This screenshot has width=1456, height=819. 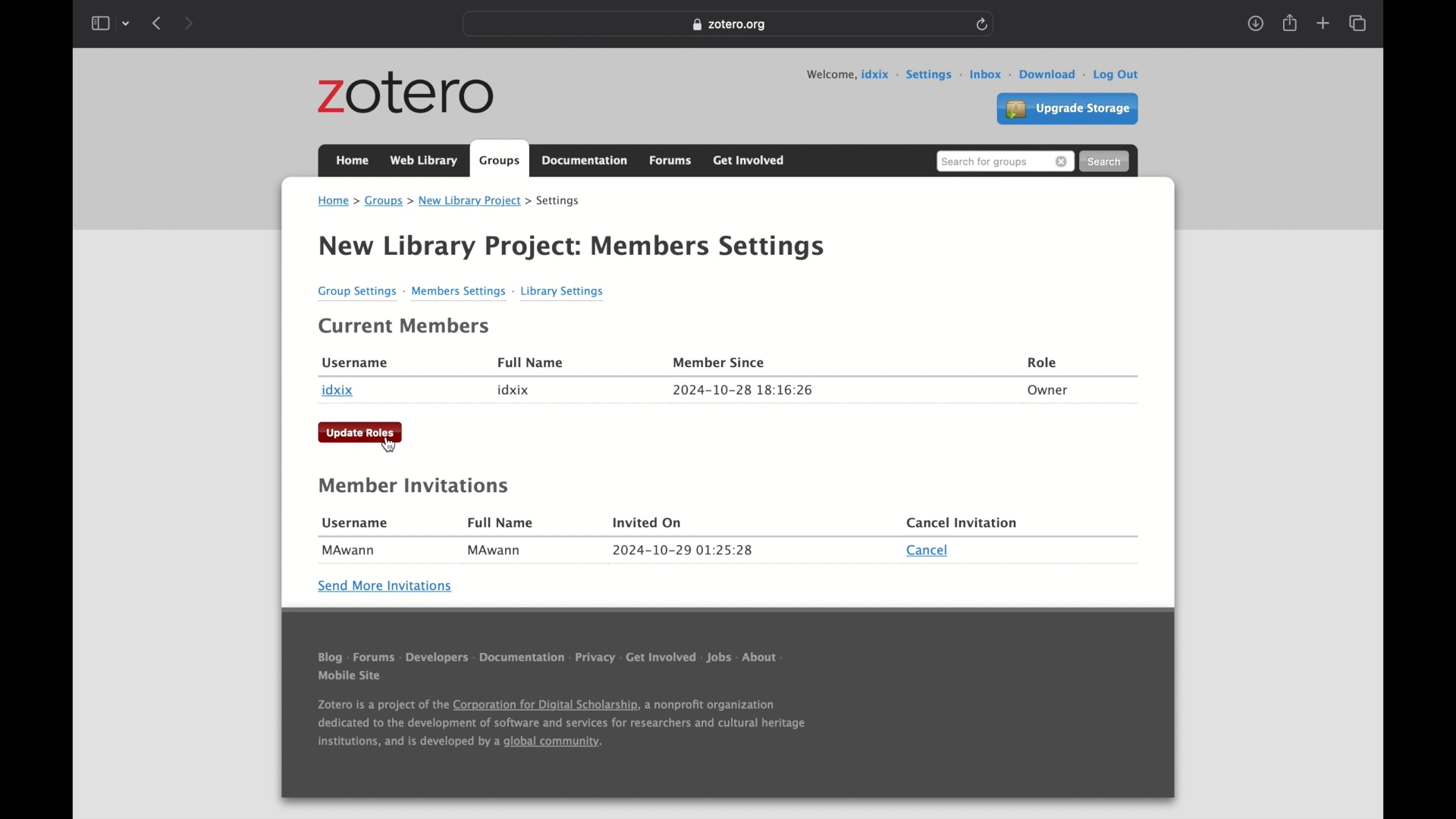 I want to click on new library project settings, so click(x=572, y=247).